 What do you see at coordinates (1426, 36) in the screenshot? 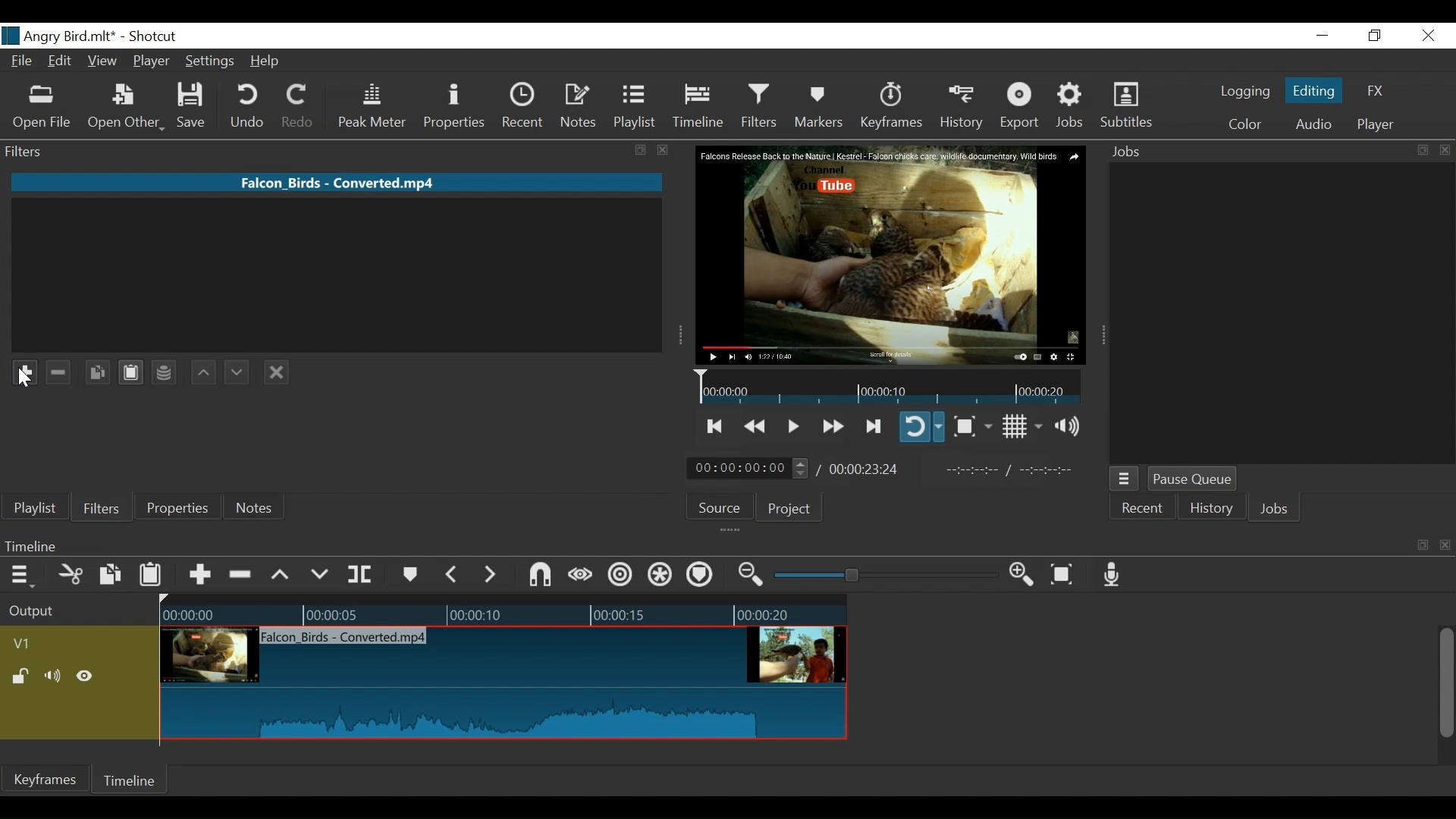
I see `Close` at bounding box center [1426, 36].